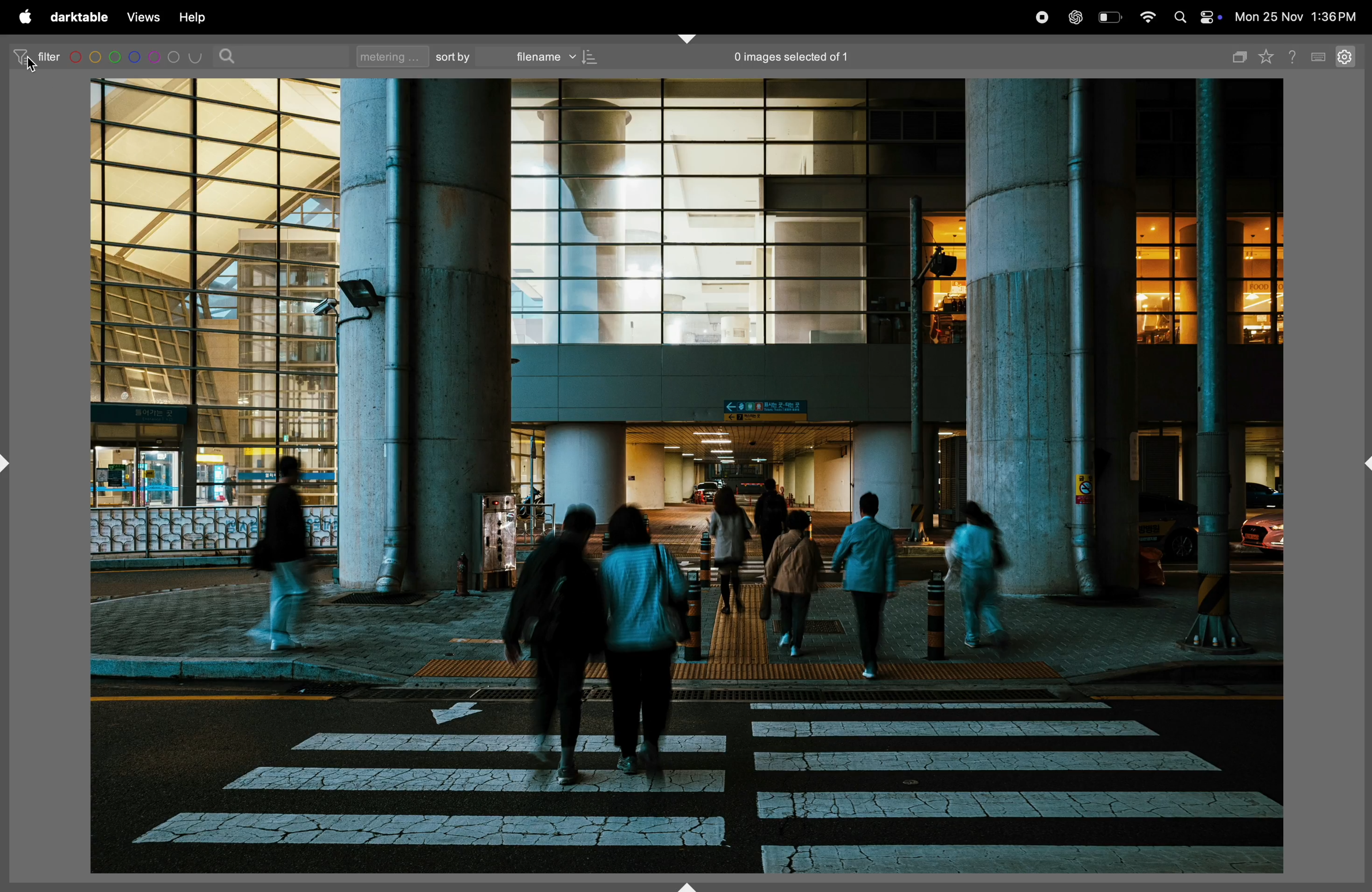 This screenshot has width=1372, height=892. Describe the element at coordinates (1269, 58) in the screenshot. I see `favourites` at that location.